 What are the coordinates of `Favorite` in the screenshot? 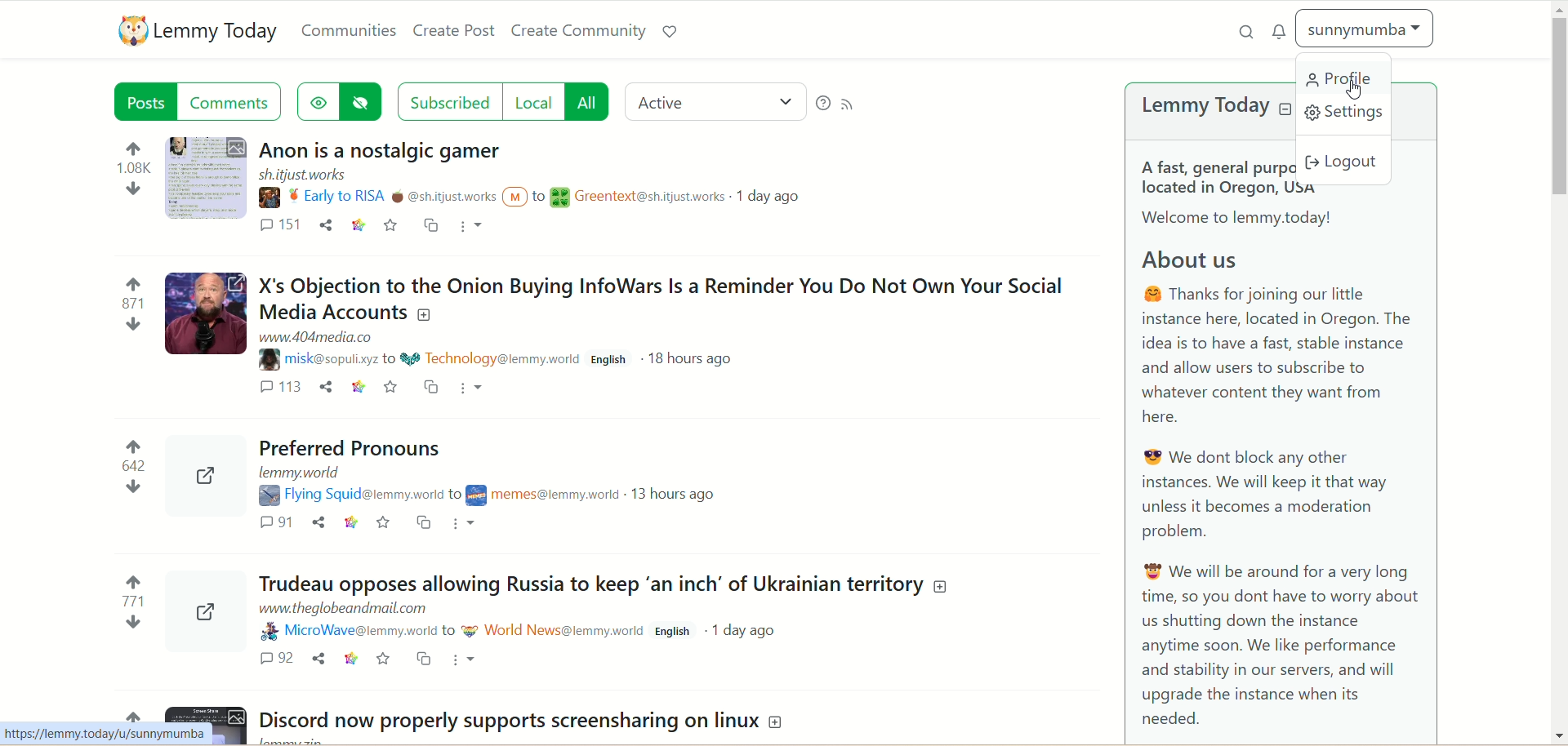 It's located at (385, 660).